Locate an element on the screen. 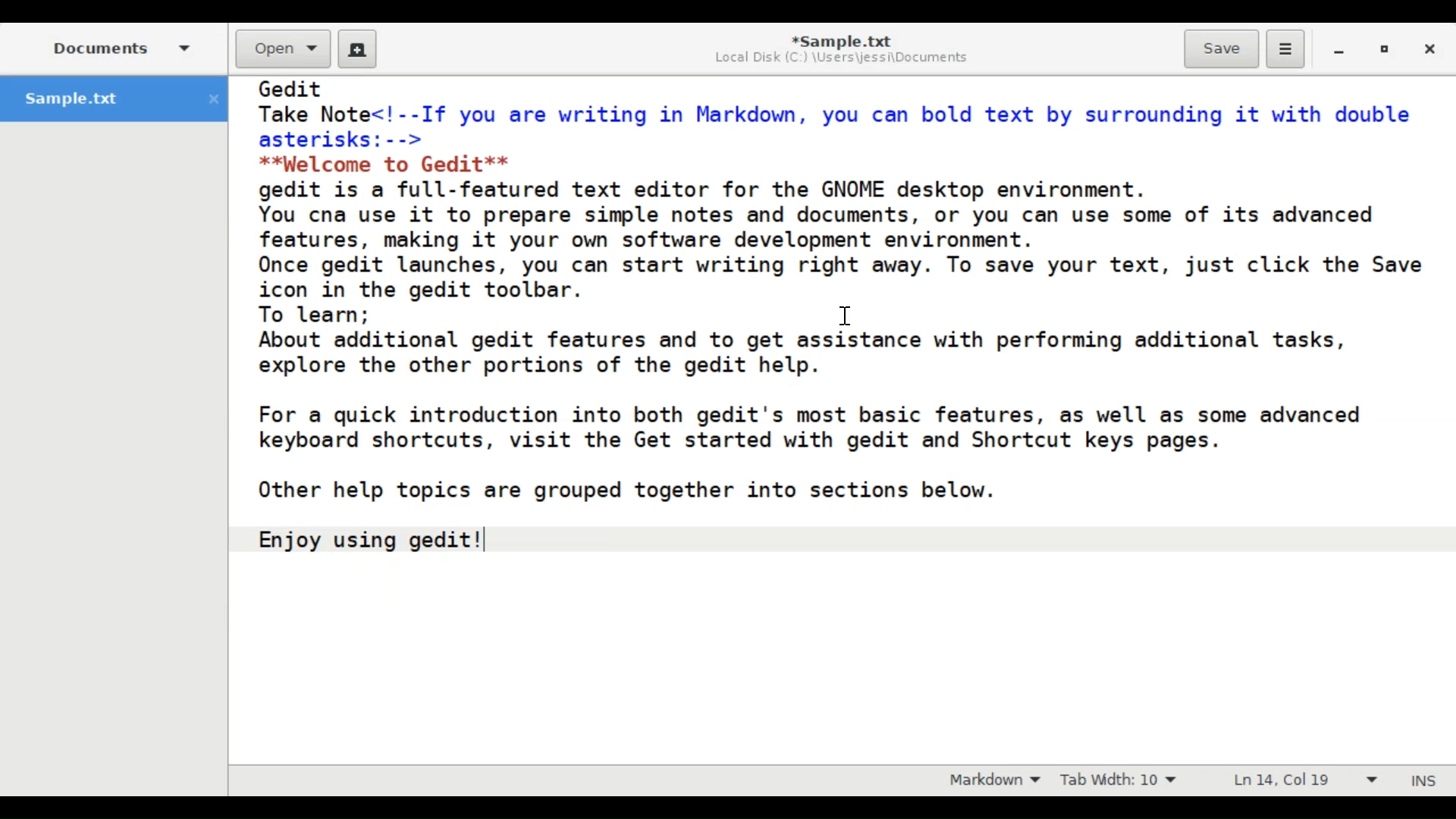  Application menu is located at coordinates (1286, 49).